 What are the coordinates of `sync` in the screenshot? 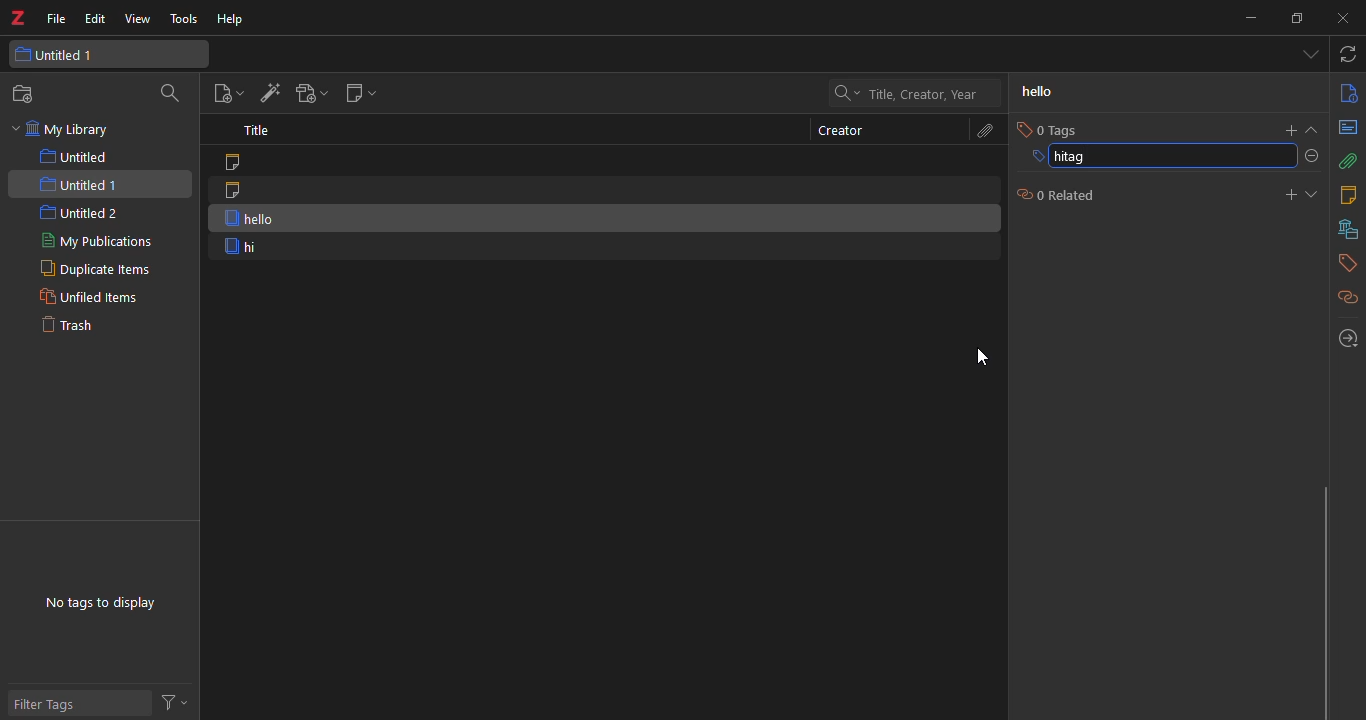 It's located at (1349, 56).